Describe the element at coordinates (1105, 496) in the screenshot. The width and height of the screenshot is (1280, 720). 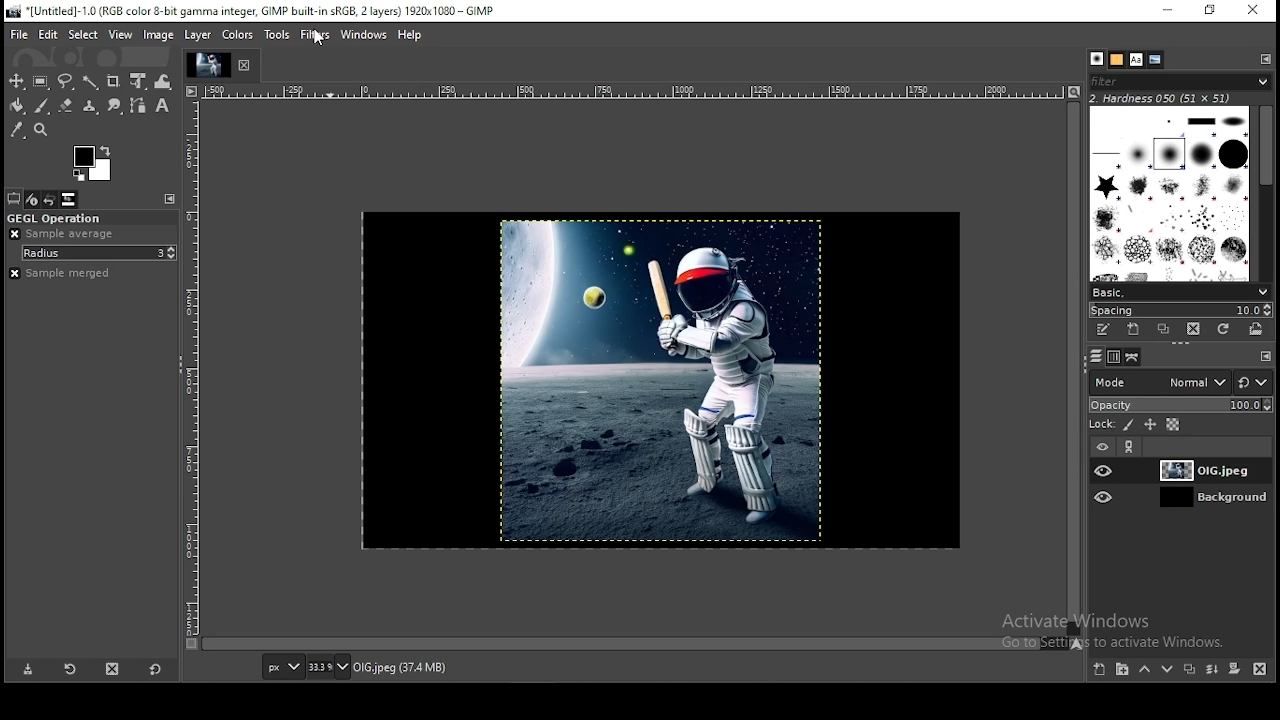
I see `layer visibility` at that location.